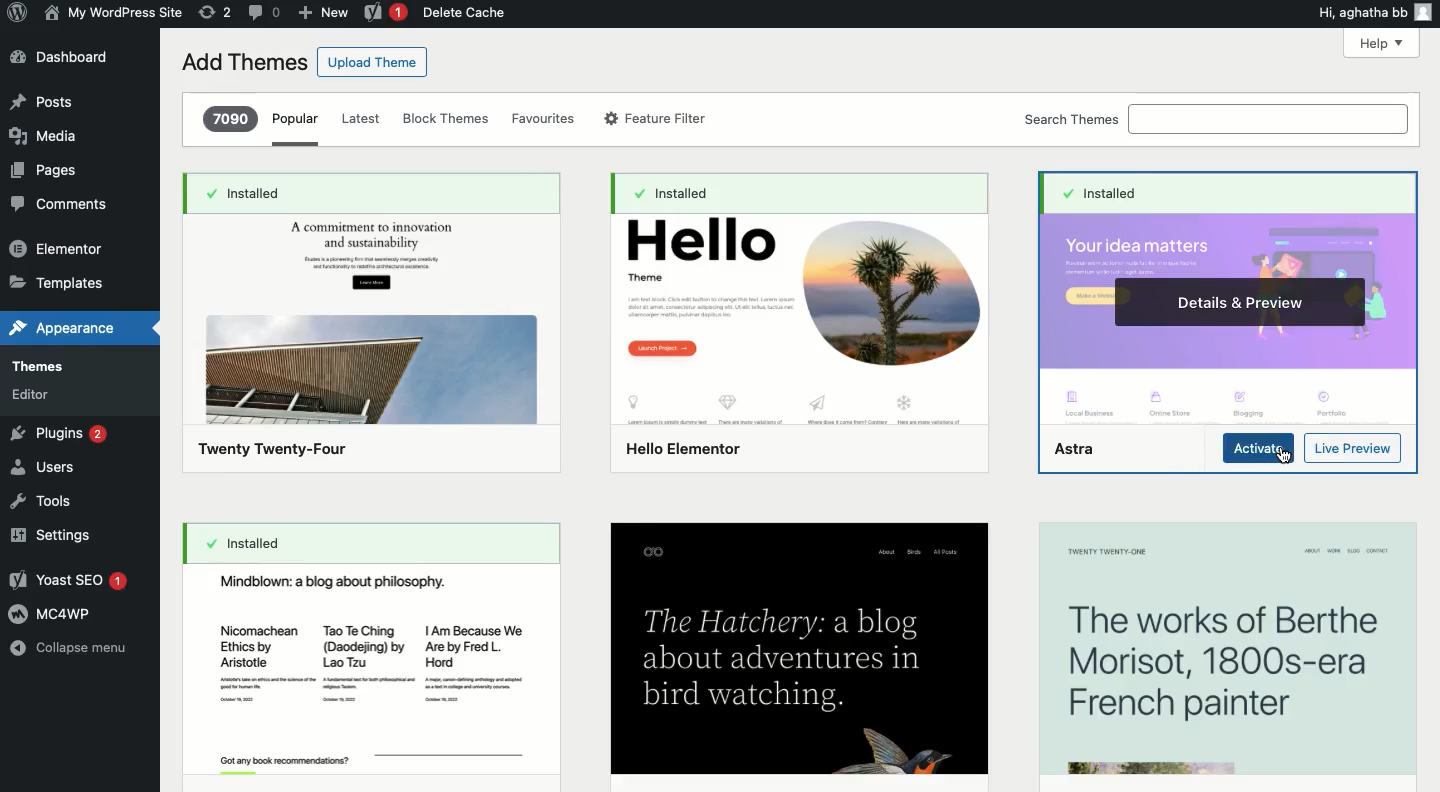 The image size is (1440, 792). What do you see at coordinates (445, 119) in the screenshot?
I see `Block themes` at bounding box center [445, 119].